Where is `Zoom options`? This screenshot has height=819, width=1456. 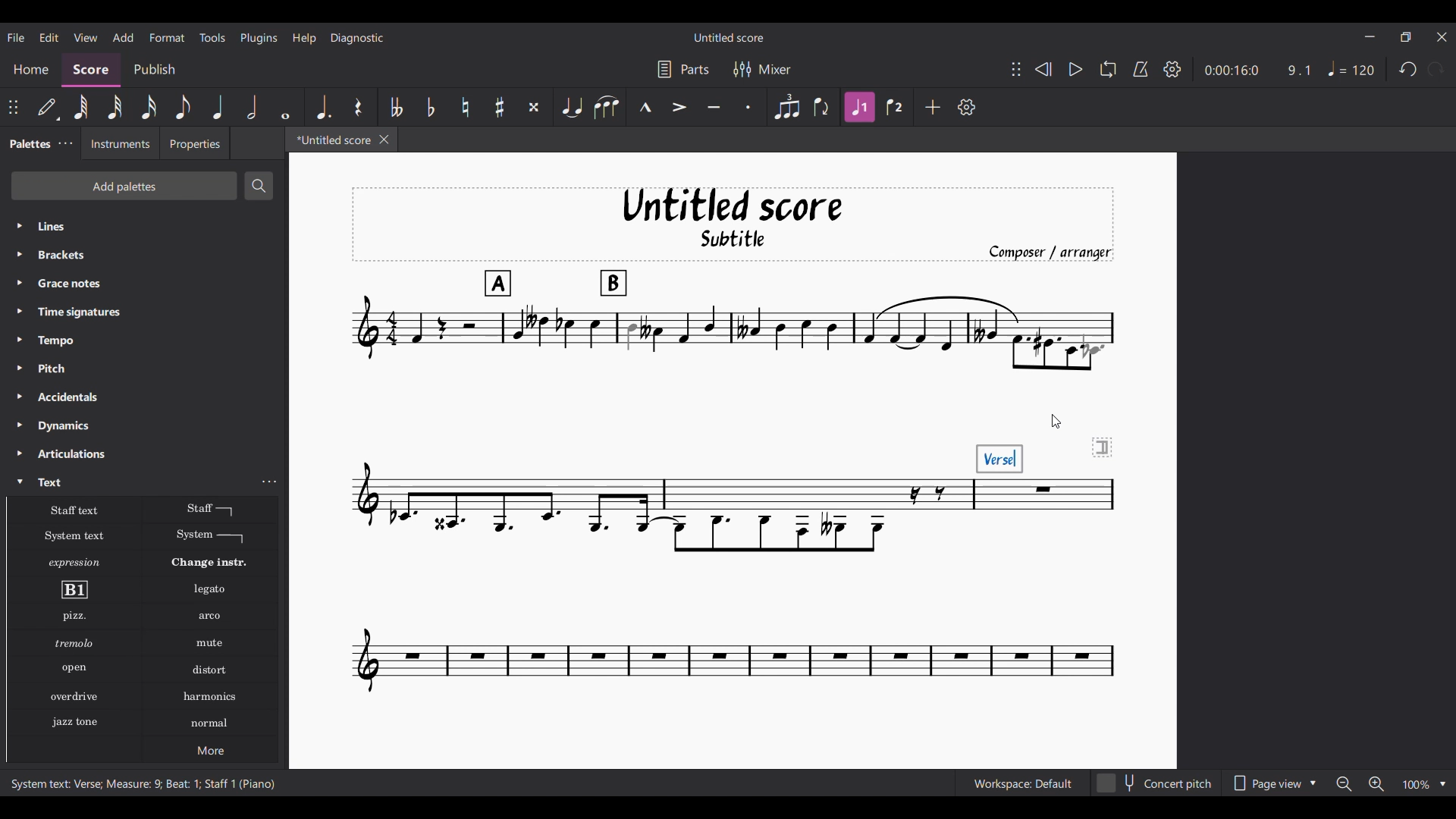
Zoom options is located at coordinates (1425, 783).